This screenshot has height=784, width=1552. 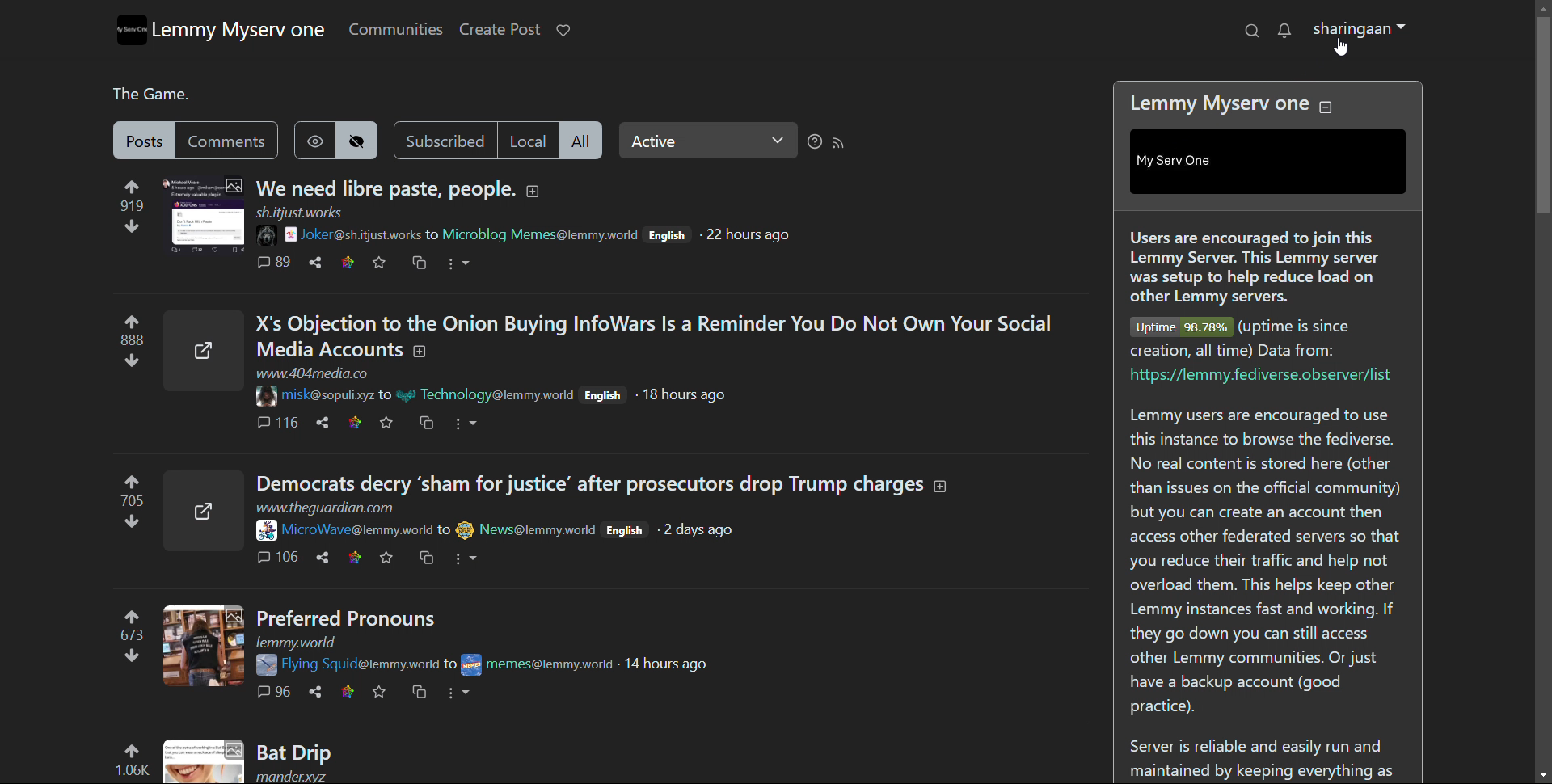 I want to click on poster username, so click(x=541, y=231).